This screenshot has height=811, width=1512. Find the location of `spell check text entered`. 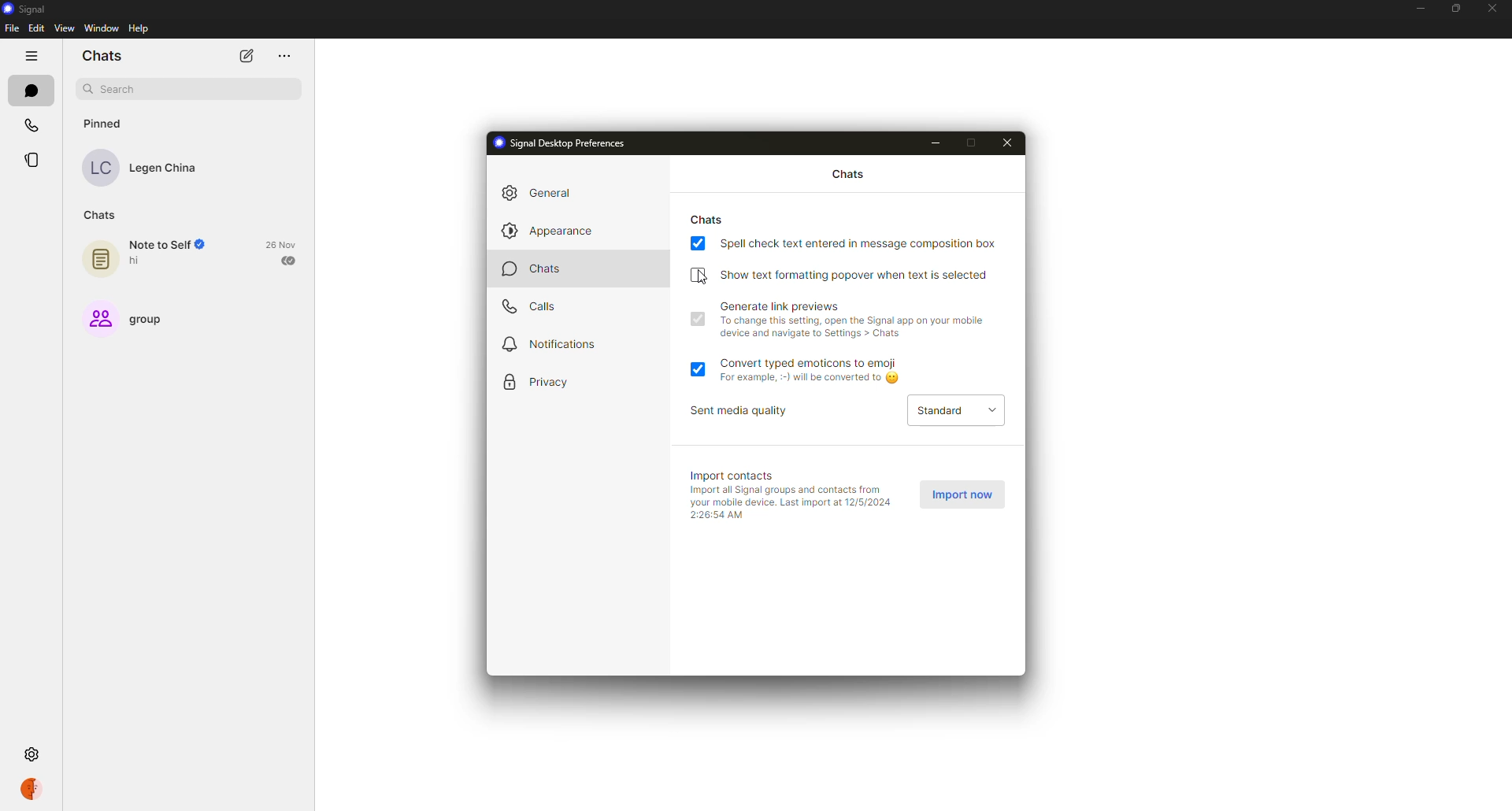

spell check text entered is located at coordinates (860, 243).